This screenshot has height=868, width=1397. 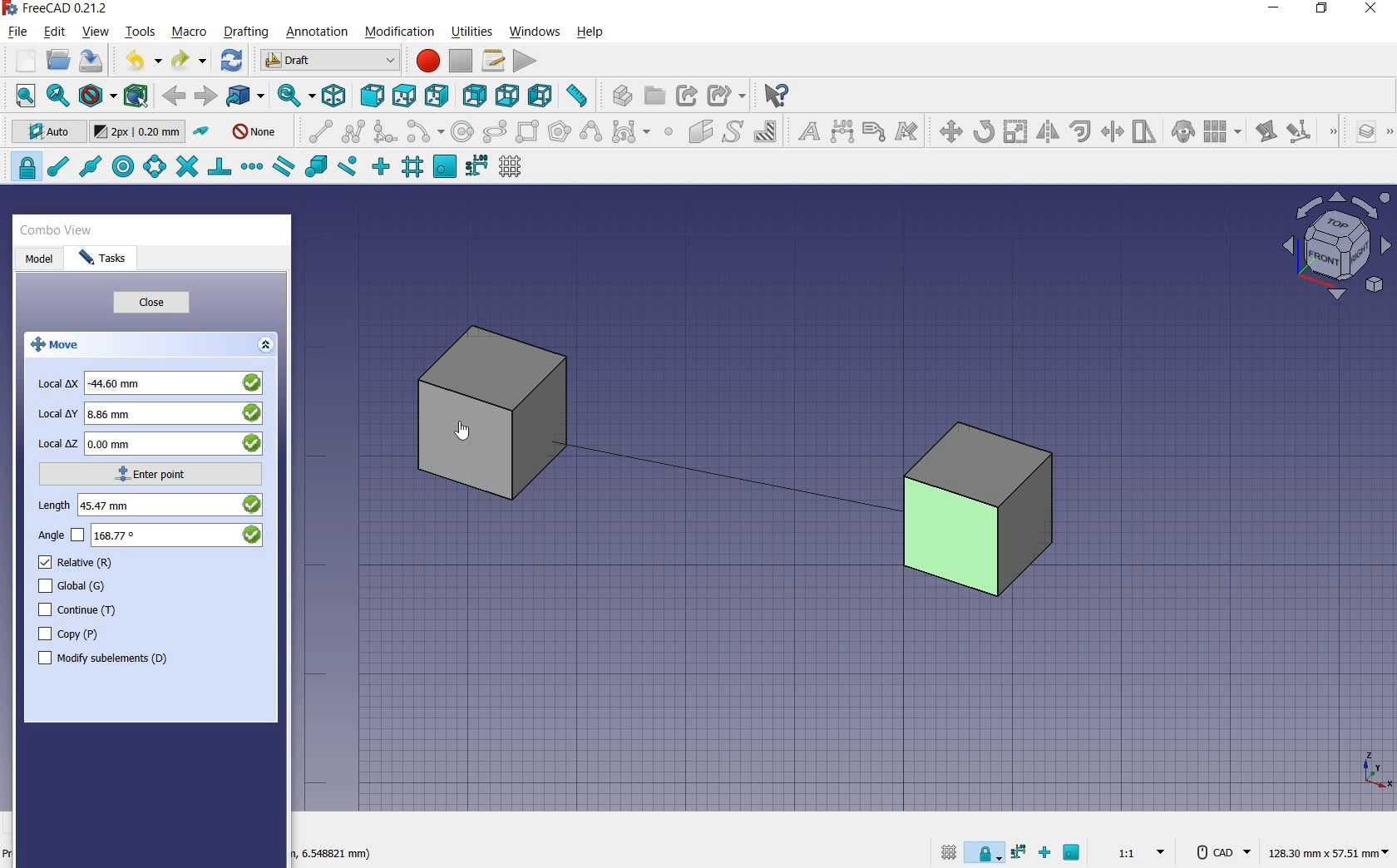 What do you see at coordinates (71, 586) in the screenshot?
I see `global` at bounding box center [71, 586].